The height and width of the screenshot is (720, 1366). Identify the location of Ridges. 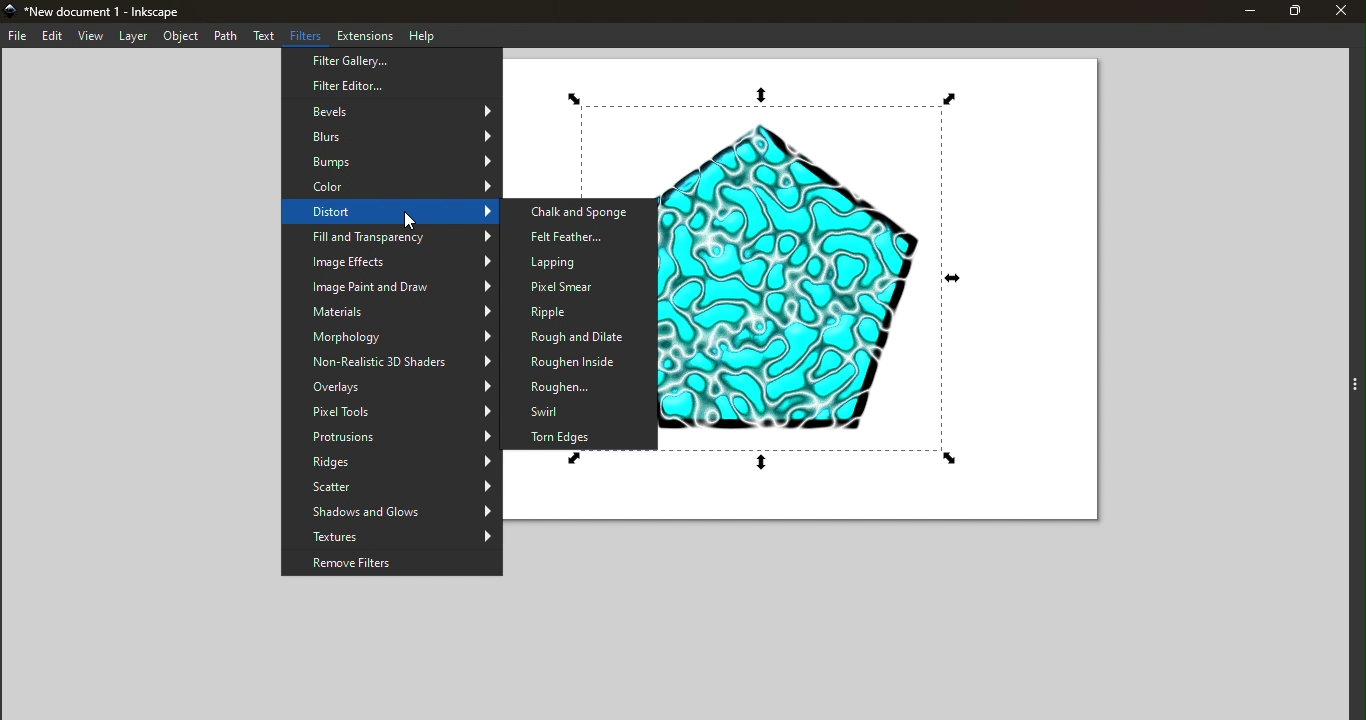
(391, 462).